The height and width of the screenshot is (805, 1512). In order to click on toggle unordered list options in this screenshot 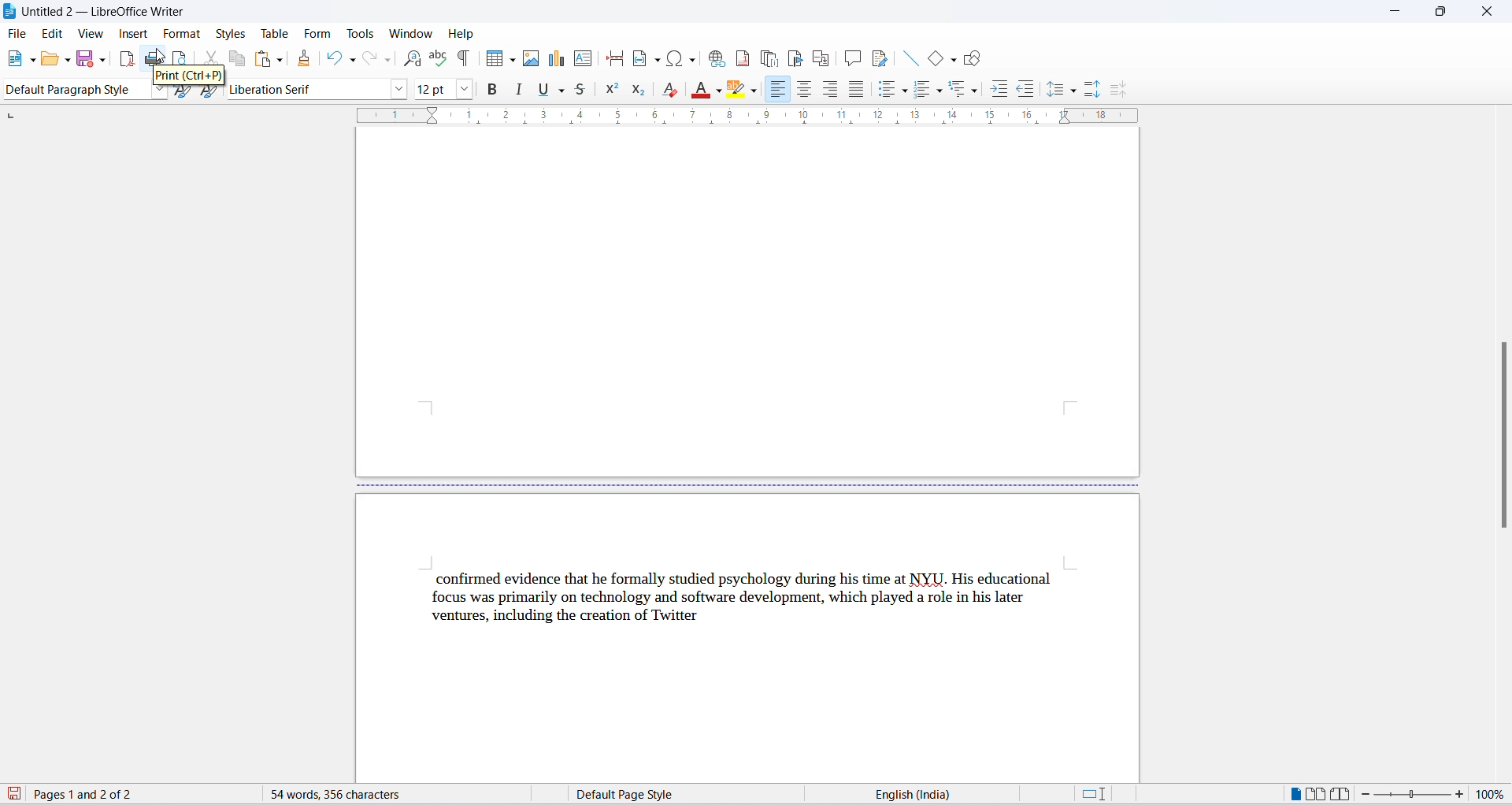, I will do `click(906, 93)`.